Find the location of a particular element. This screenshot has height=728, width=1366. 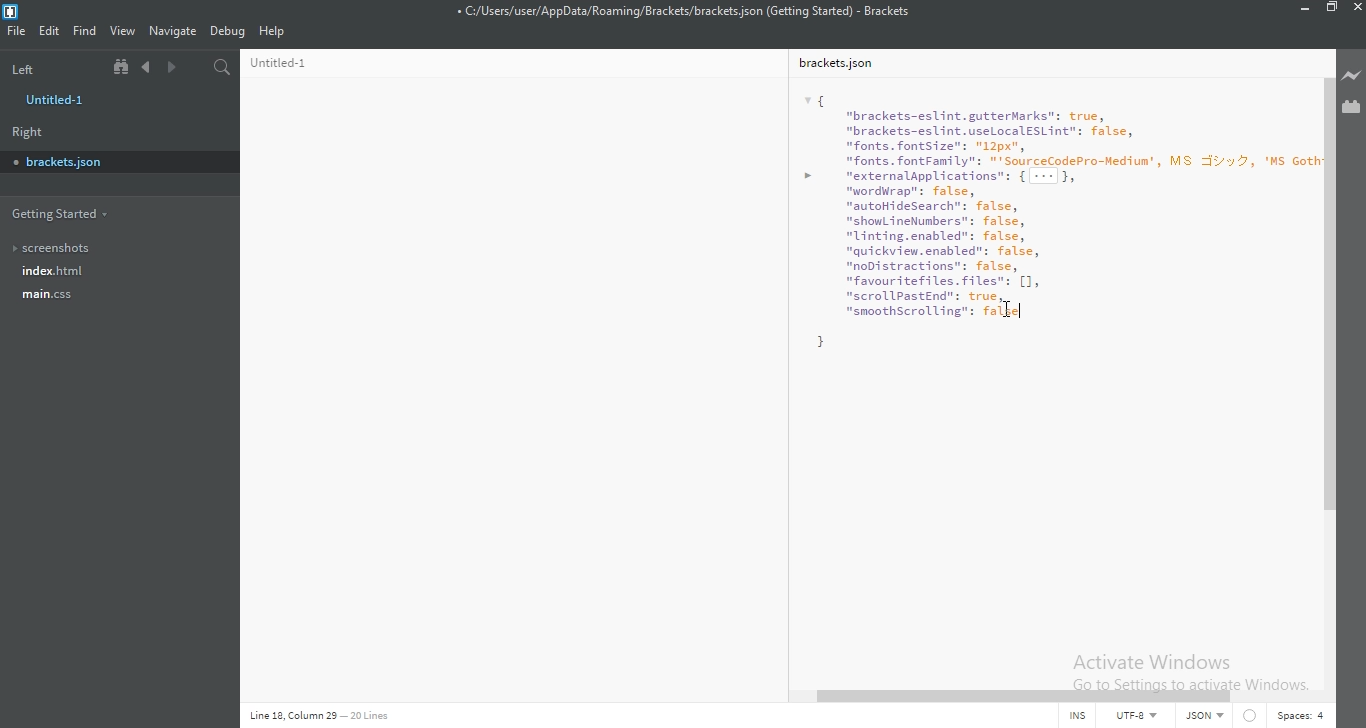

Find in files is located at coordinates (223, 65).